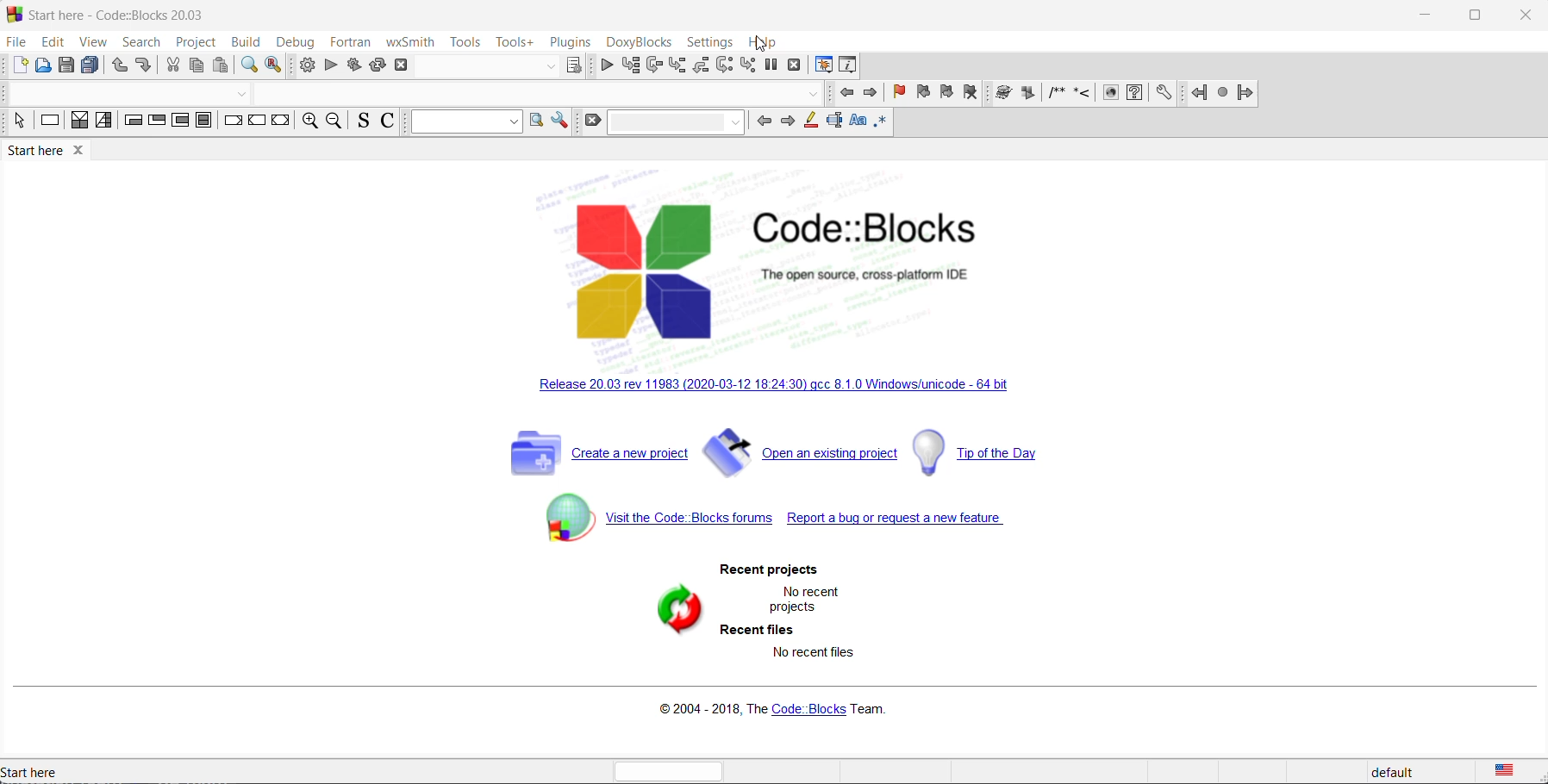 This screenshot has width=1548, height=784. I want to click on zoom out, so click(335, 122).